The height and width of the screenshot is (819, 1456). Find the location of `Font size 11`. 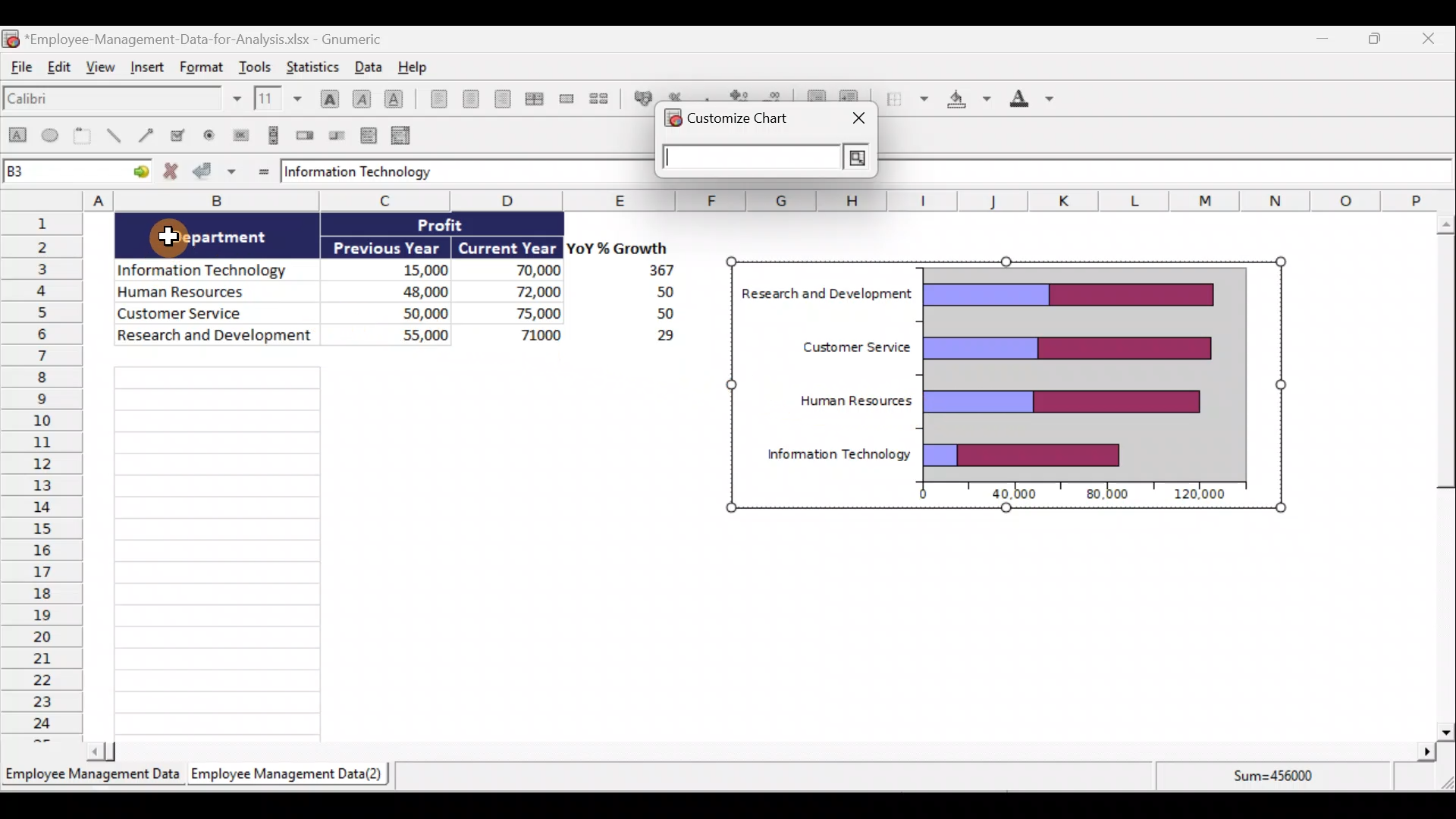

Font size 11 is located at coordinates (276, 98).